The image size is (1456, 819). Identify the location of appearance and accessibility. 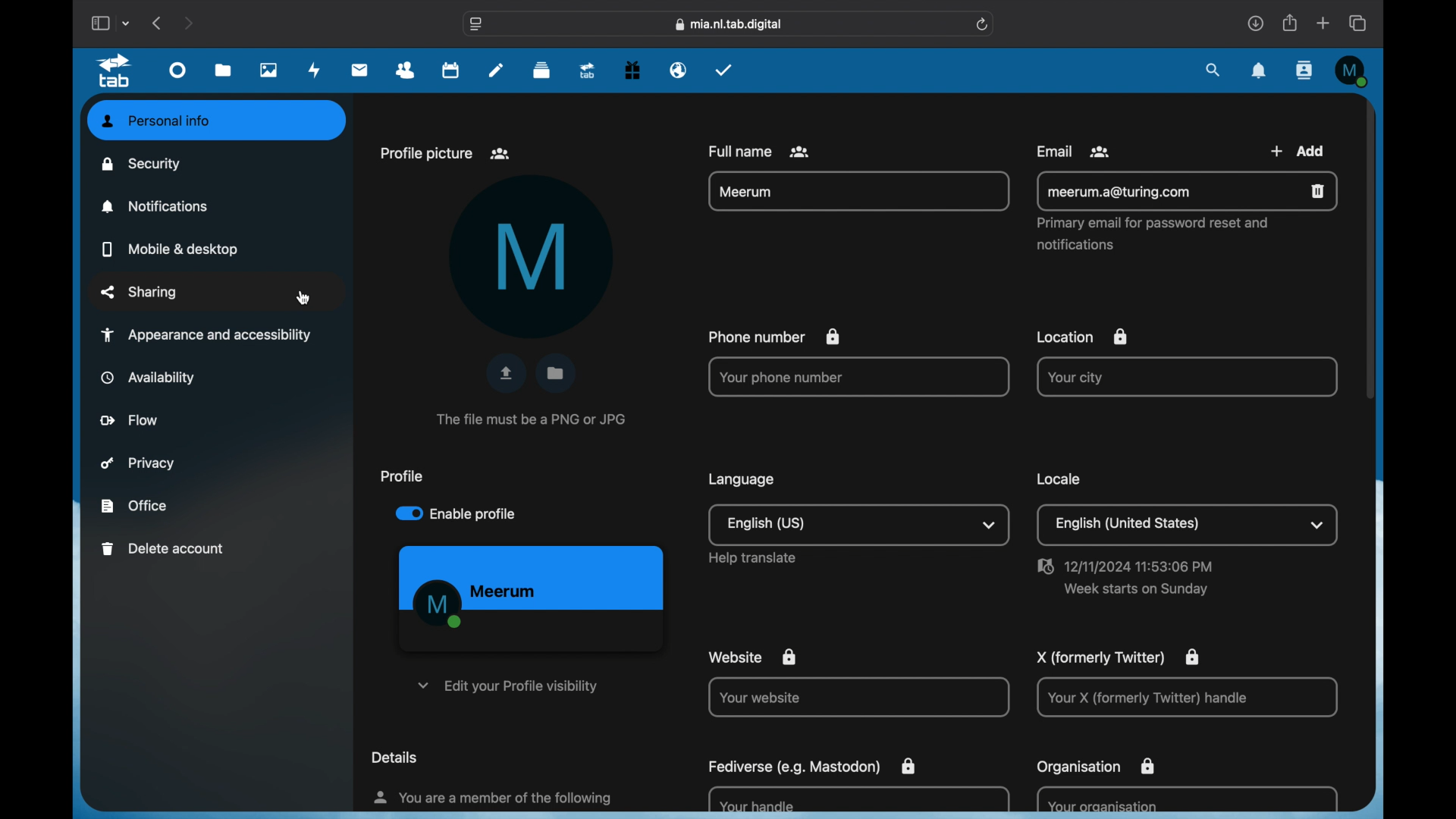
(206, 334).